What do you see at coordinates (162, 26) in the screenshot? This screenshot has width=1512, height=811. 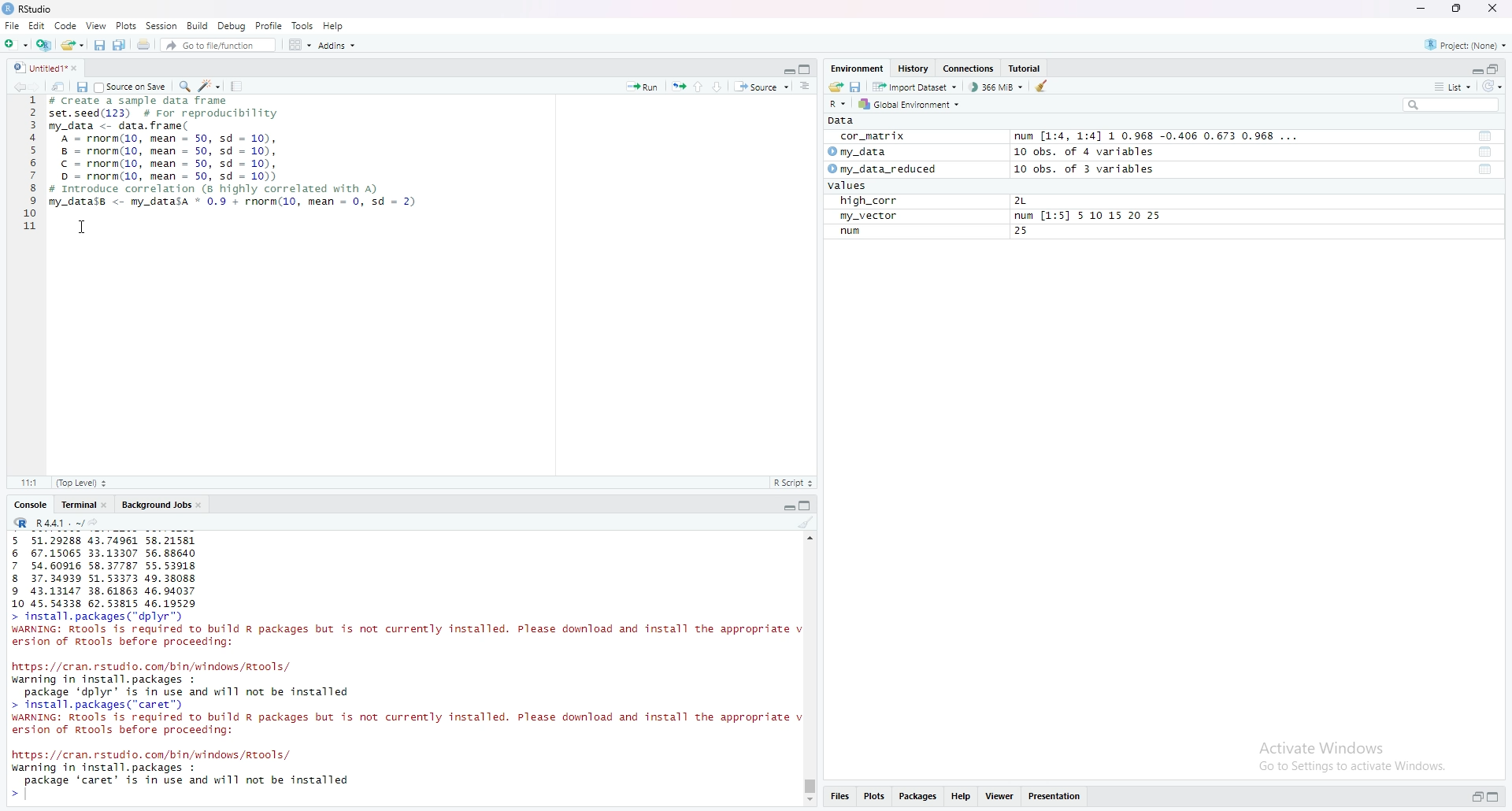 I see `Session ` at bounding box center [162, 26].